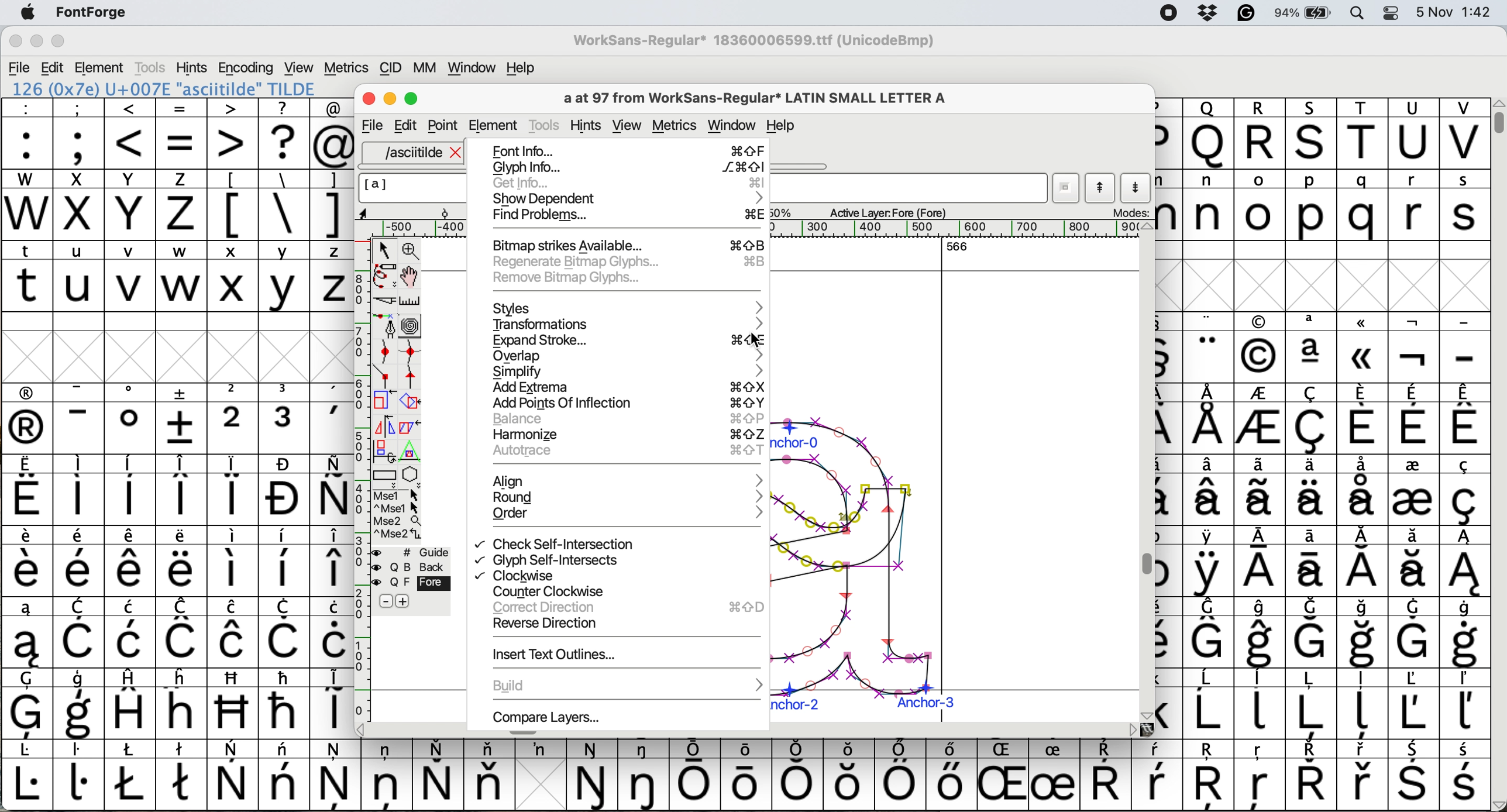  What do you see at coordinates (386, 302) in the screenshot?
I see `cut splines in two` at bounding box center [386, 302].